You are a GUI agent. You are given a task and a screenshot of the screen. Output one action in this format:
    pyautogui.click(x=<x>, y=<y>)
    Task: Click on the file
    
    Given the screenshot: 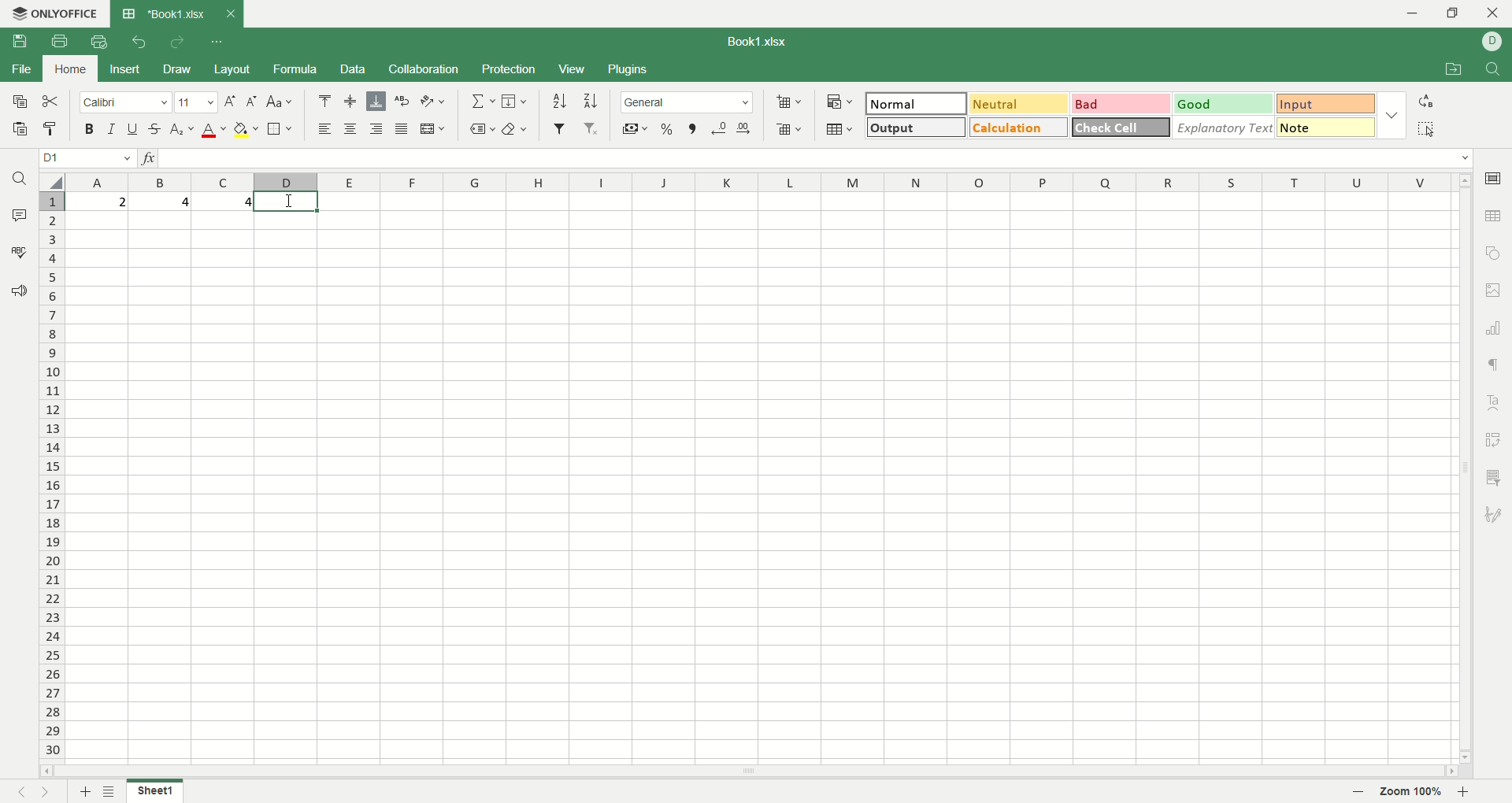 What is the action you would take?
    pyautogui.click(x=20, y=68)
    